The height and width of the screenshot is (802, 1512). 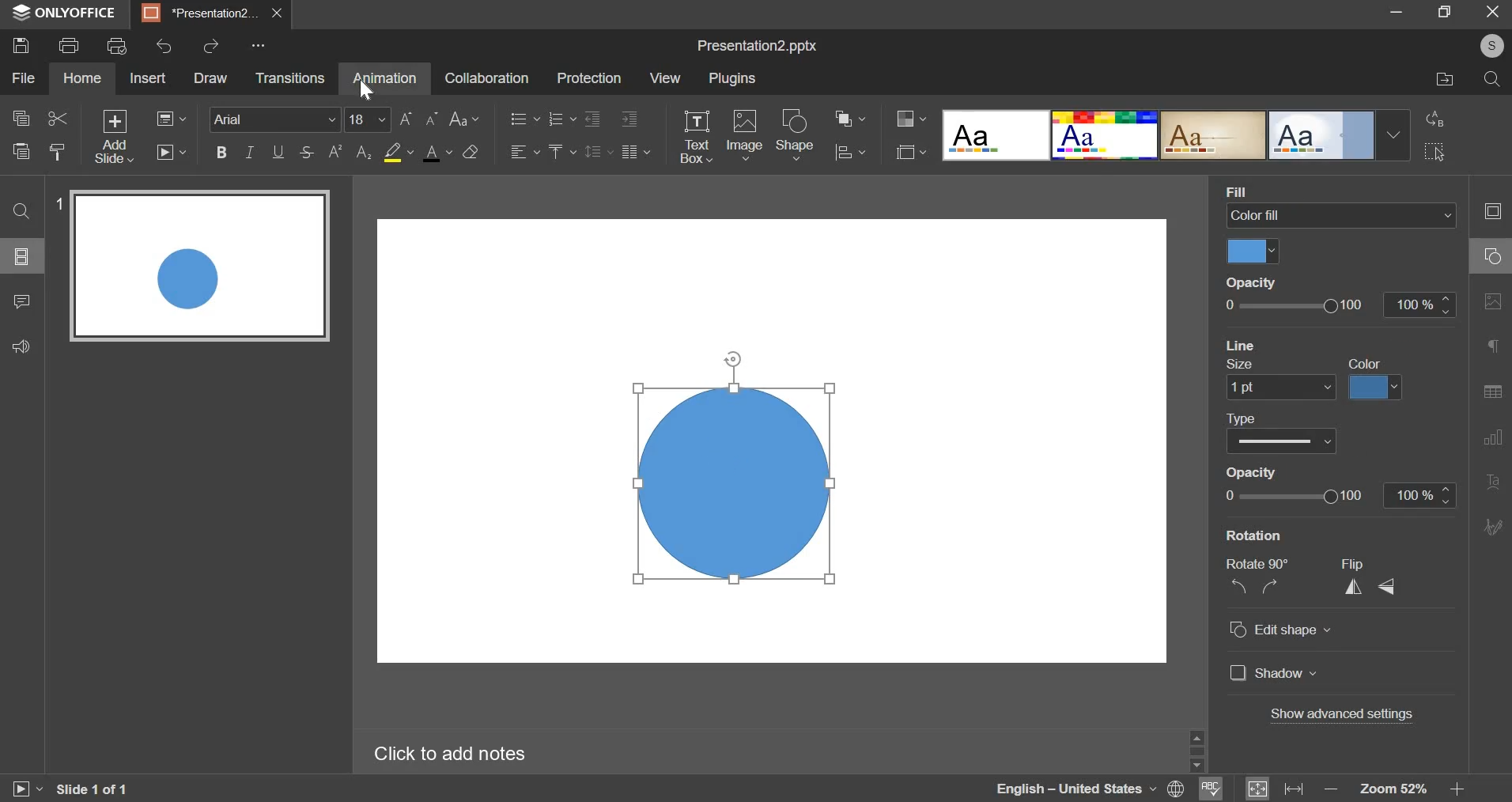 I want to click on home, so click(x=82, y=78).